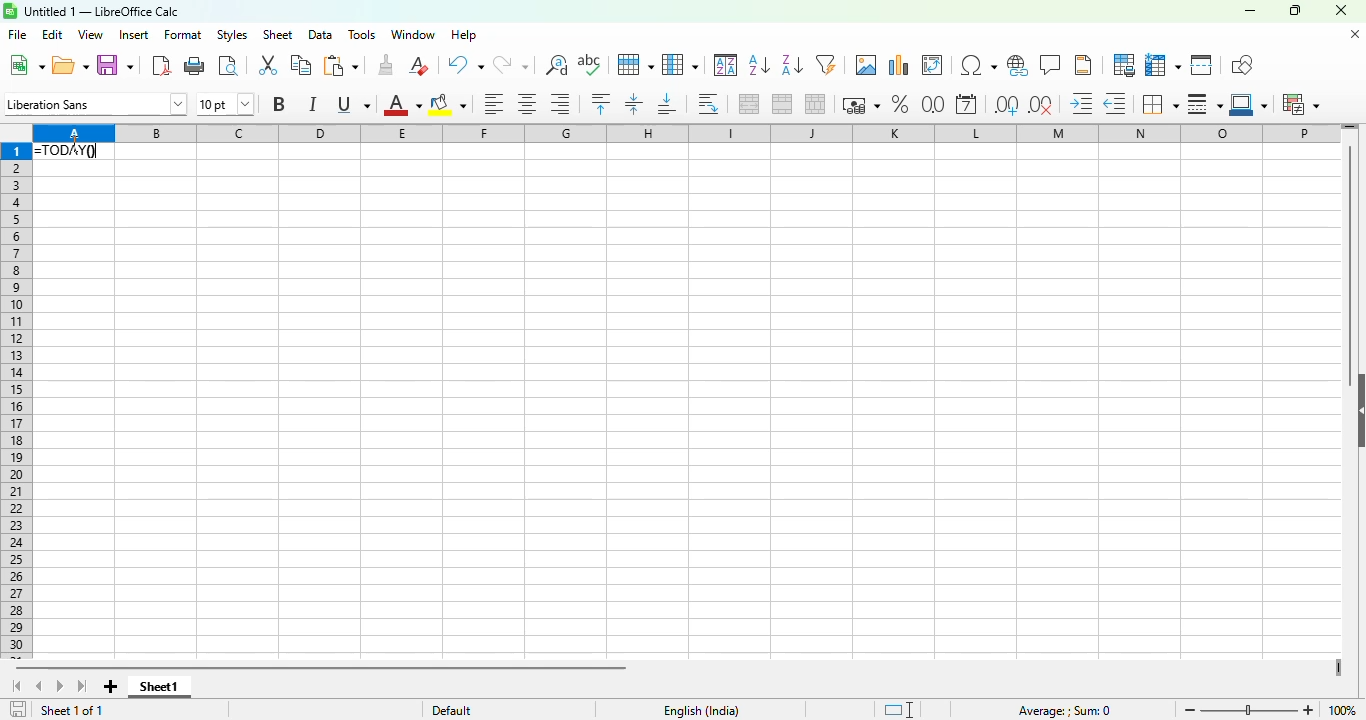 Image resolution: width=1366 pixels, height=720 pixels. I want to click on edit, so click(53, 35).